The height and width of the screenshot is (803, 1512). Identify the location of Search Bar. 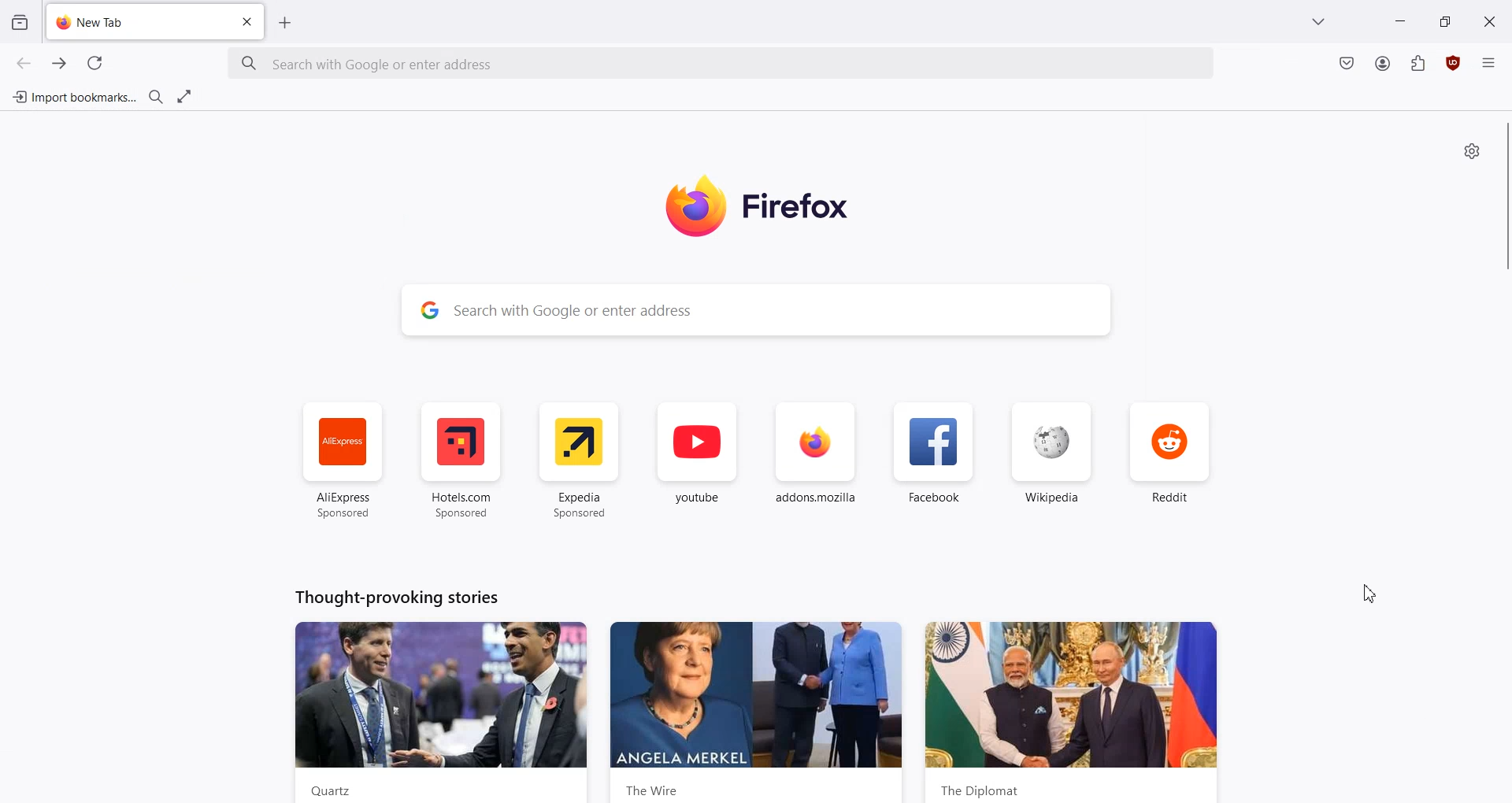
(758, 309).